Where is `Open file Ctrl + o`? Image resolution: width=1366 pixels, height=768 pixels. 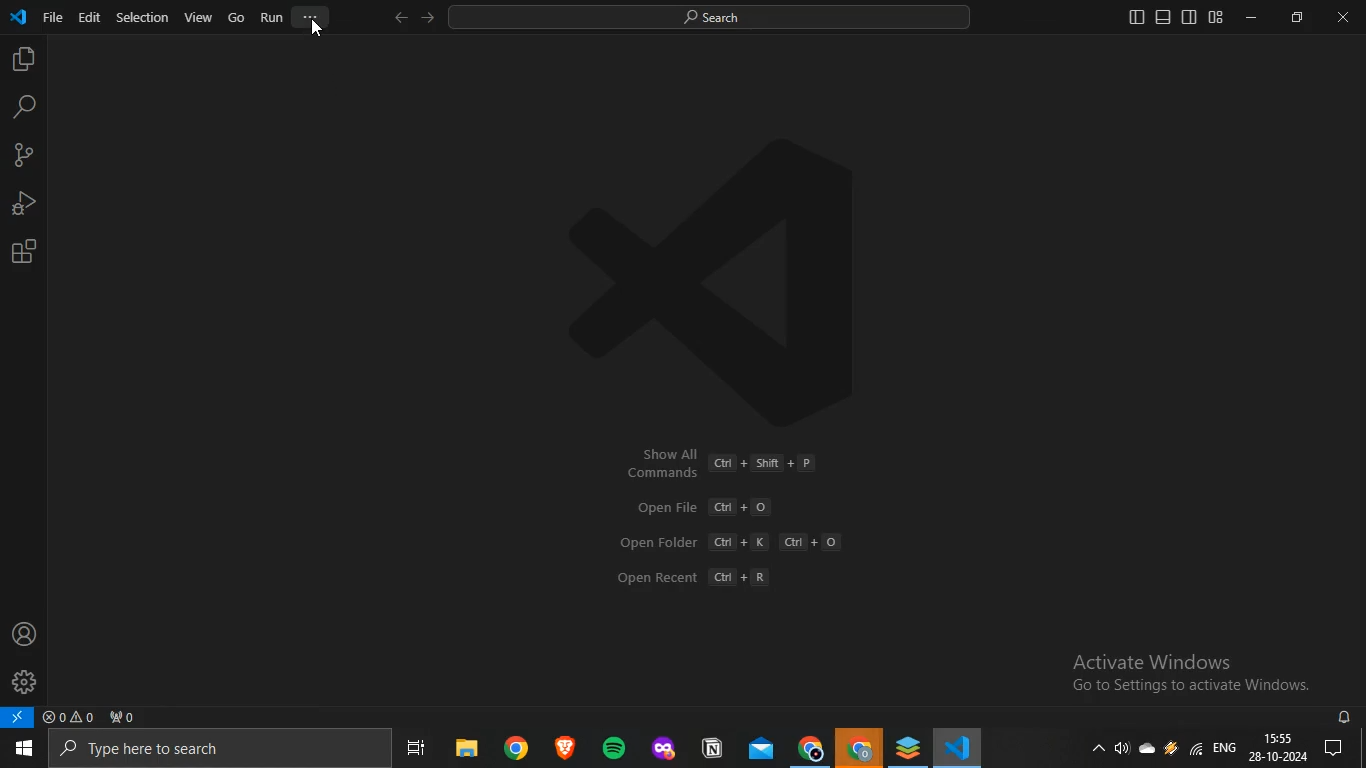
Open file Ctrl + o is located at coordinates (702, 507).